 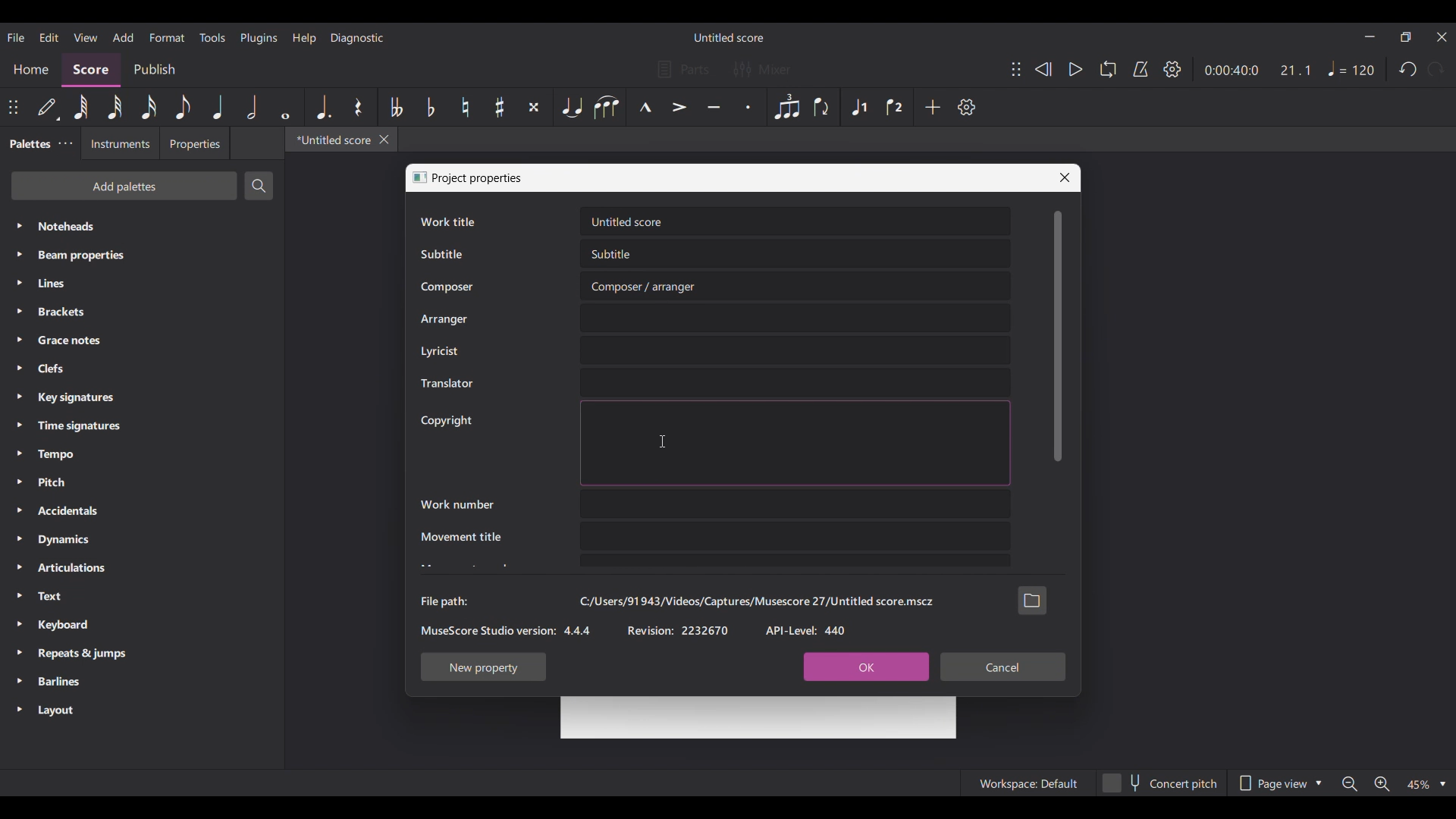 What do you see at coordinates (331, 140) in the screenshot?
I see `*Untitled score, current tab` at bounding box center [331, 140].